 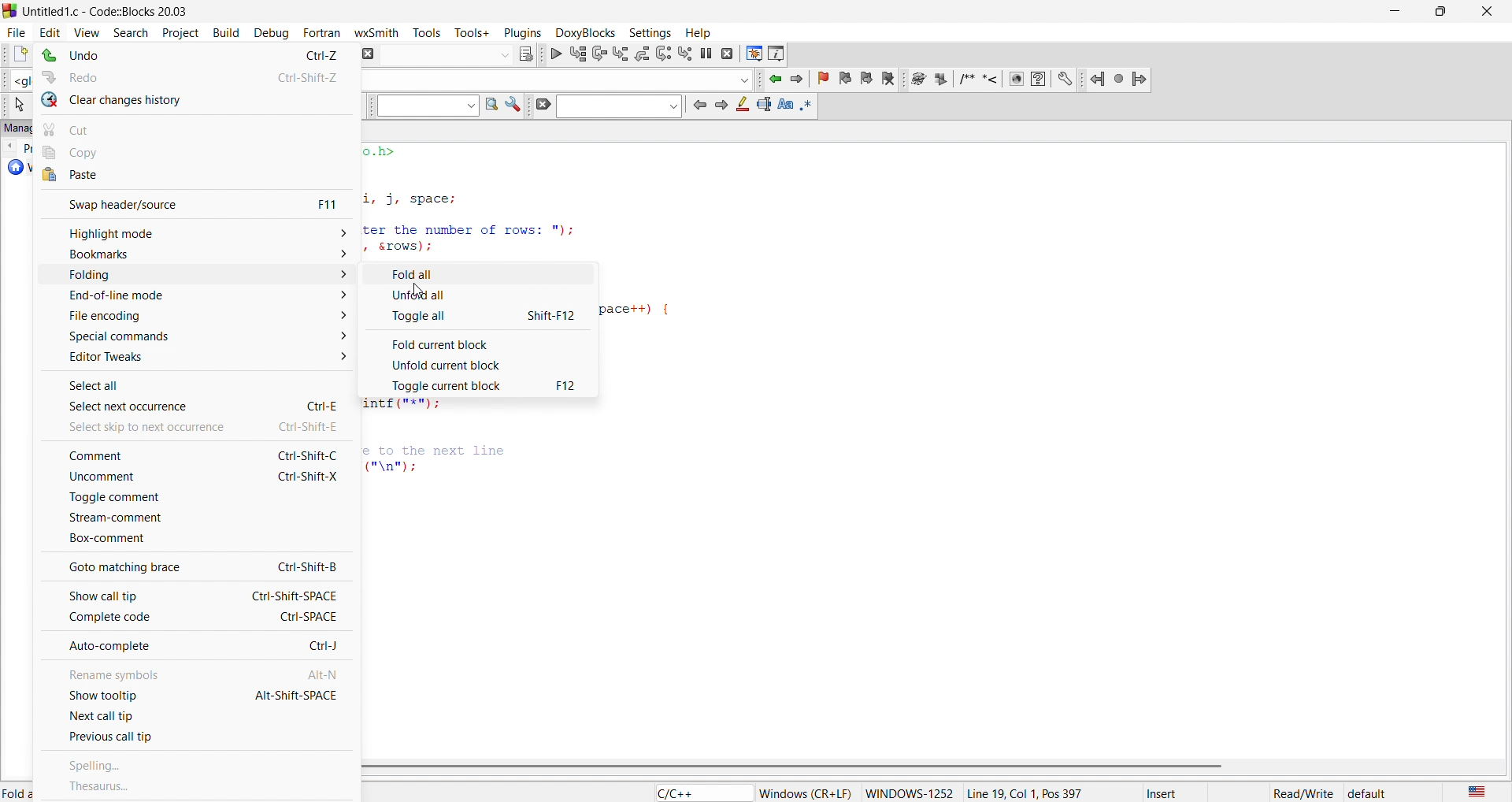 What do you see at coordinates (192, 670) in the screenshot?
I see `rename symbols` at bounding box center [192, 670].